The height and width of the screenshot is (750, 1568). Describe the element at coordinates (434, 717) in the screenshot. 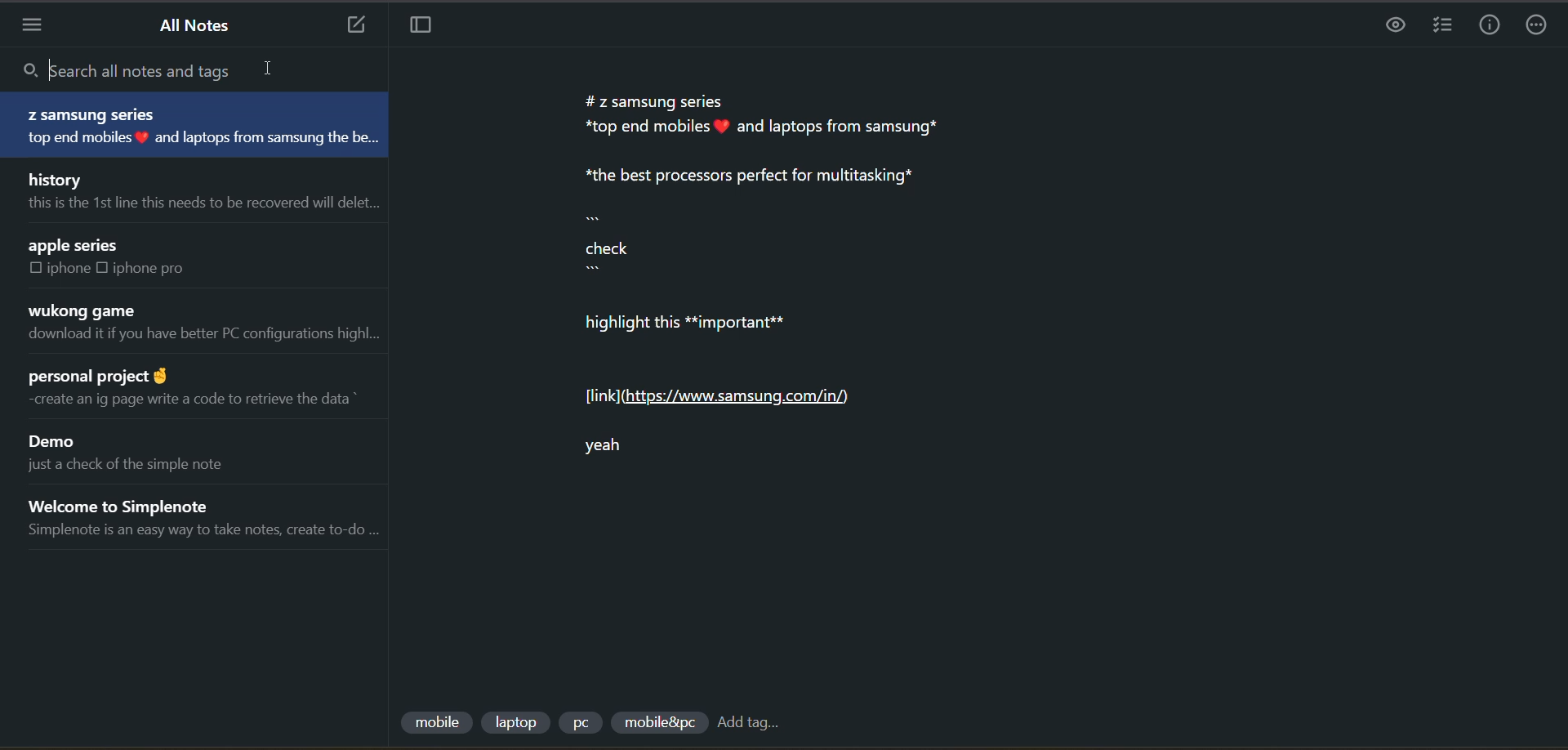

I see `mobile` at that location.